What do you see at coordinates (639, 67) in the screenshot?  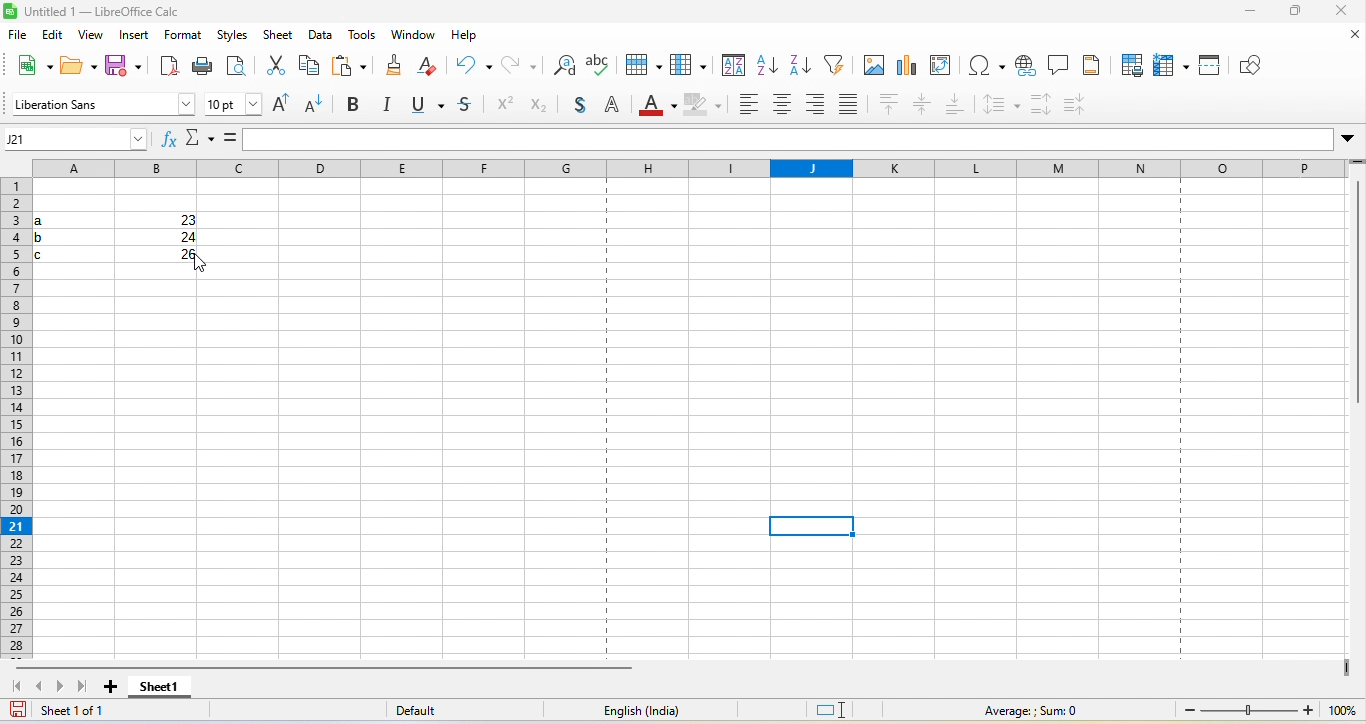 I see `row` at bounding box center [639, 67].